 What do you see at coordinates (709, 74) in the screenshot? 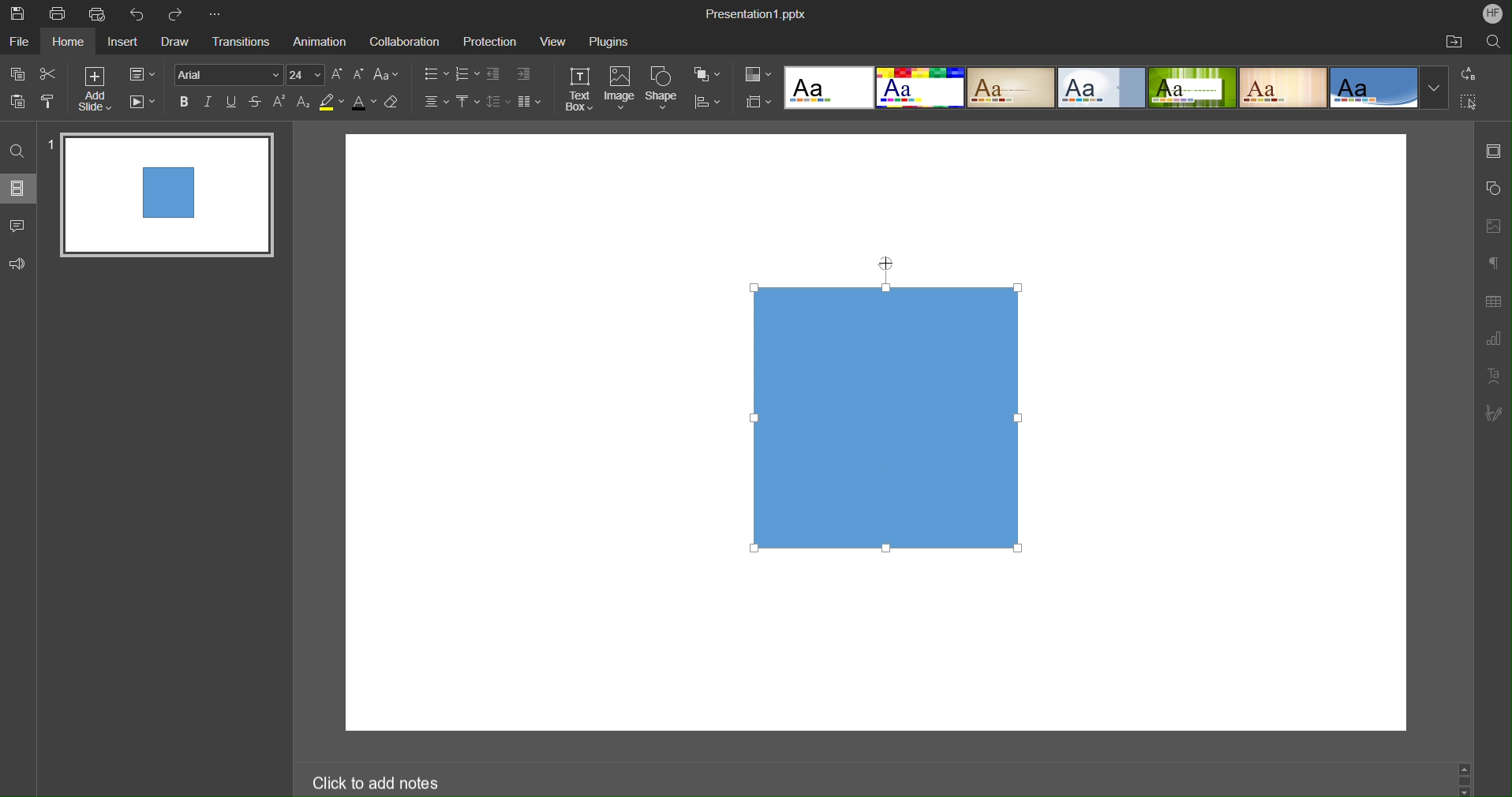
I see `Arrange` at bounding box center [709, 74].